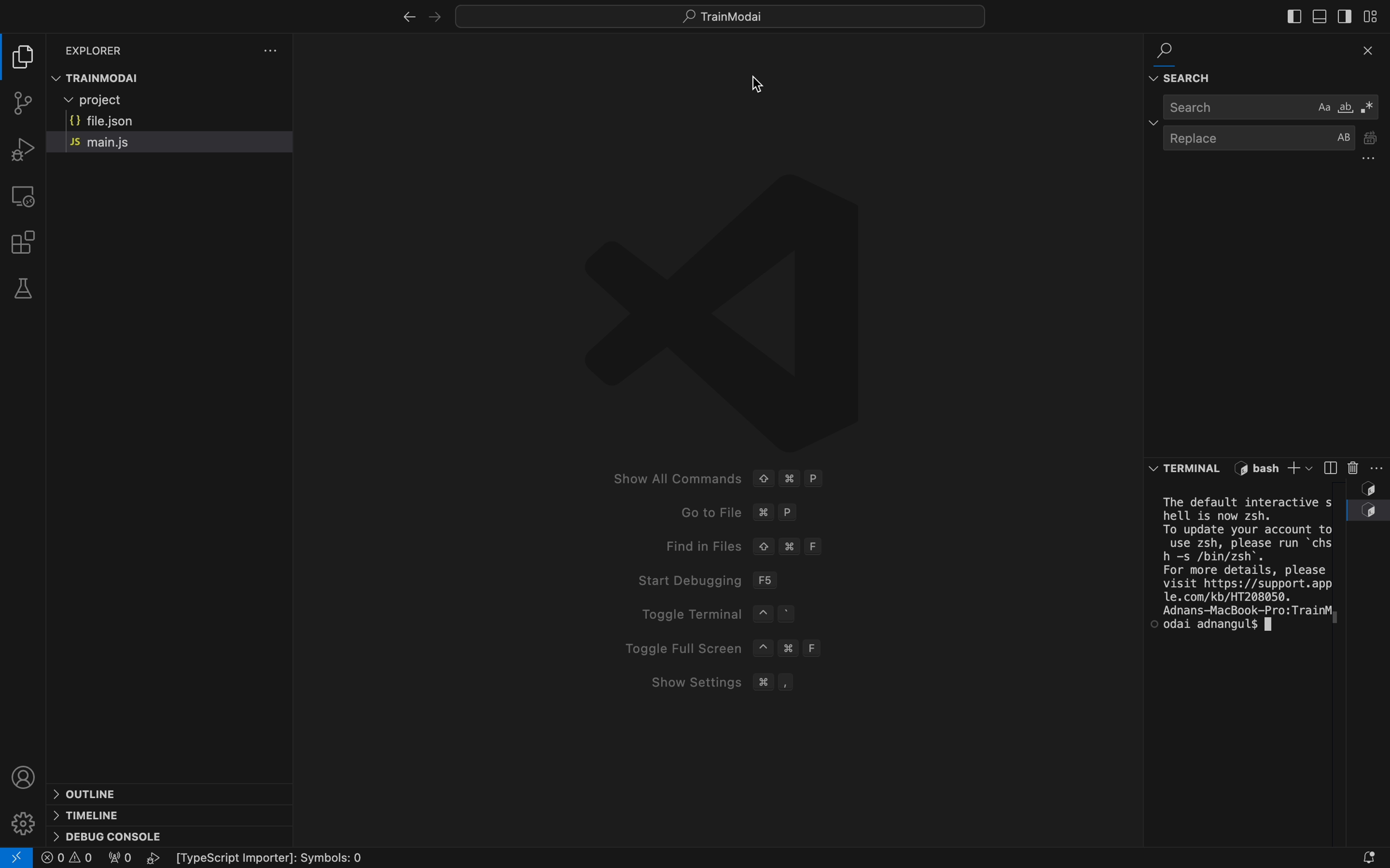  I want to click on terminal settings, so click(1379, 467).